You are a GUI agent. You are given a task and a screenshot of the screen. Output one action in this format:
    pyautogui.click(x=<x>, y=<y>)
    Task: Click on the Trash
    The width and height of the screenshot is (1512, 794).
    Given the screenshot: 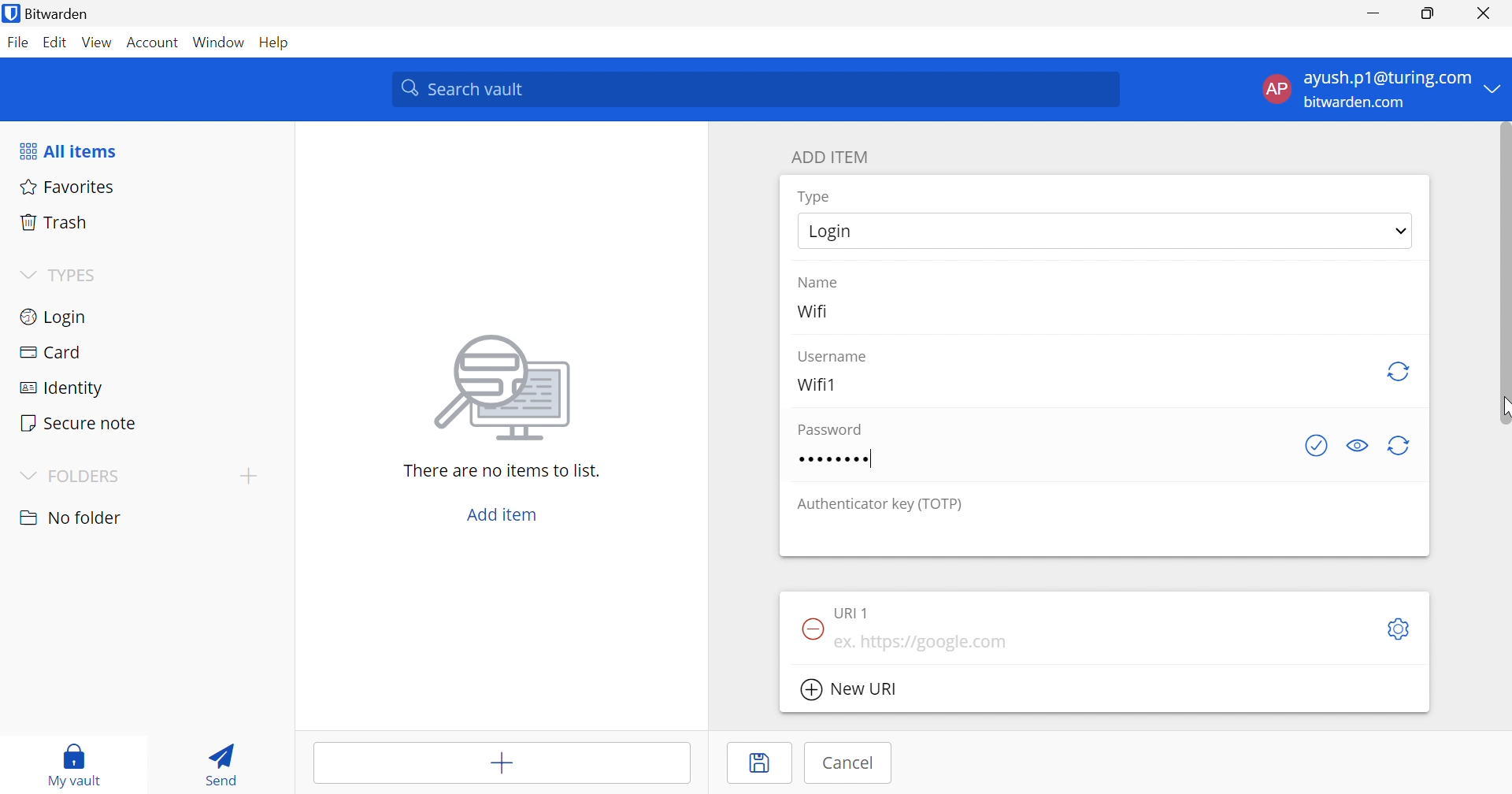 What is the action you would take?
    pyautogui.click(x=54, y=220)
    